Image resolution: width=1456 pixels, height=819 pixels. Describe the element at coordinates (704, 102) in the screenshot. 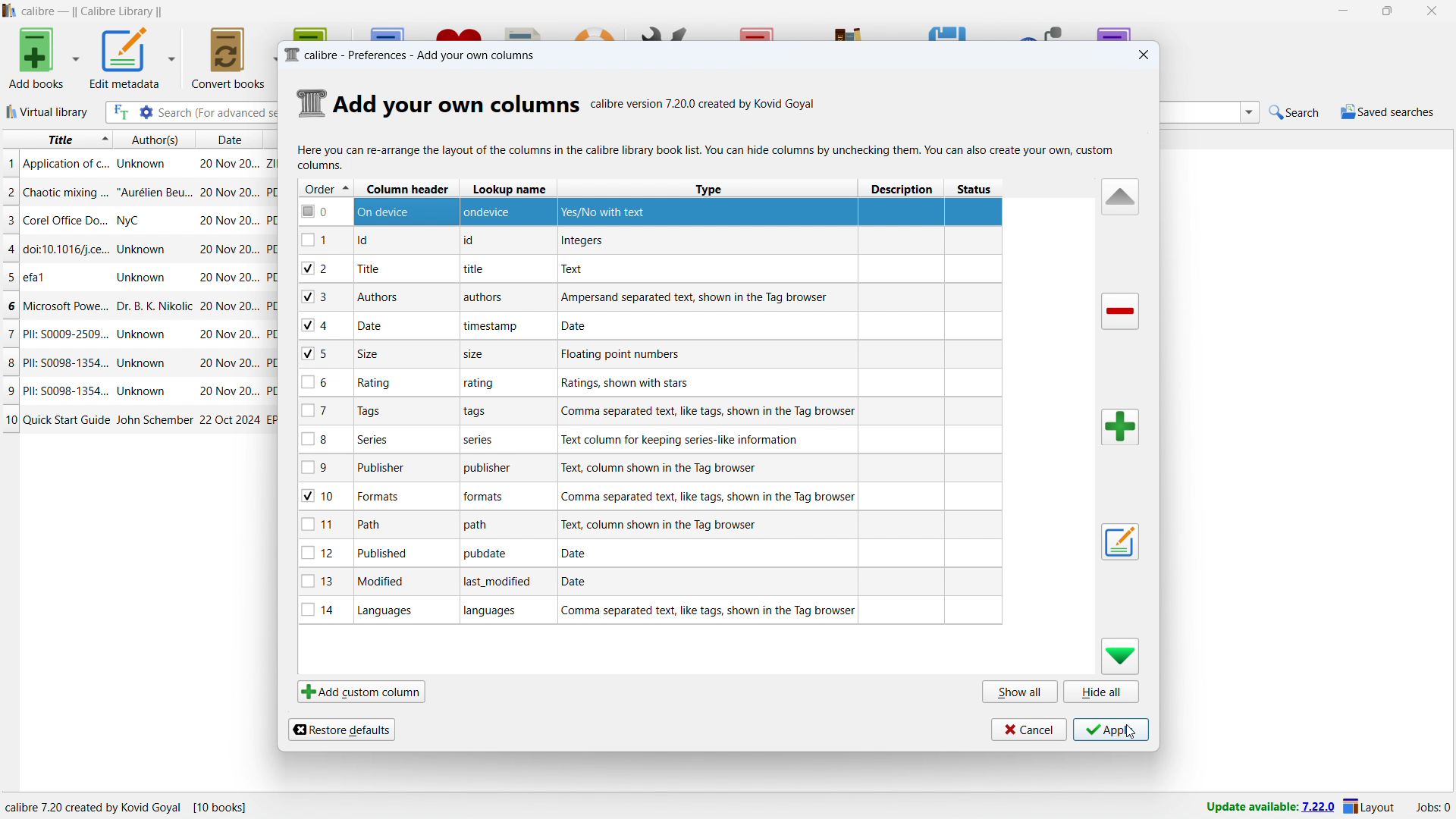

I see `calibre version 7.20.0 created by Kovid Goyal` at that location.